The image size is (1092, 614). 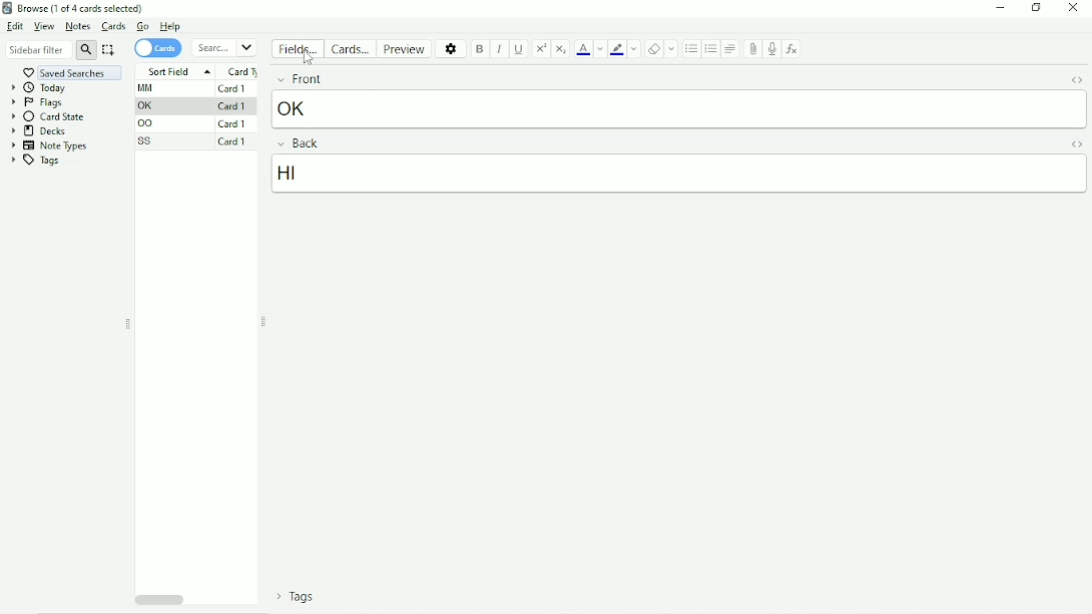 I want to click on Cards, so click(x=158, y=48).